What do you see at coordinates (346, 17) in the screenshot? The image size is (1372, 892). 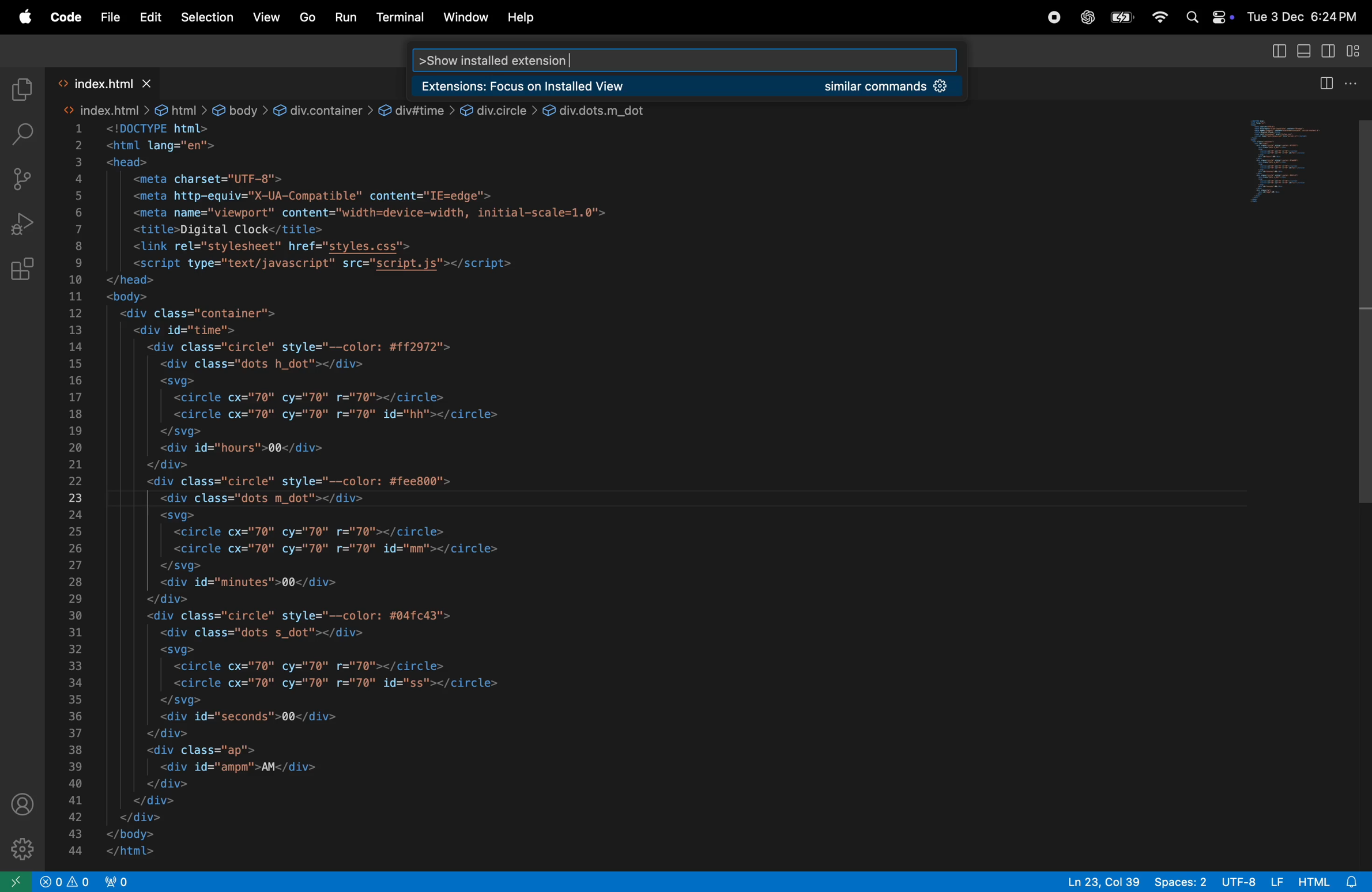 I see `run` at bounding box center [346, 17].